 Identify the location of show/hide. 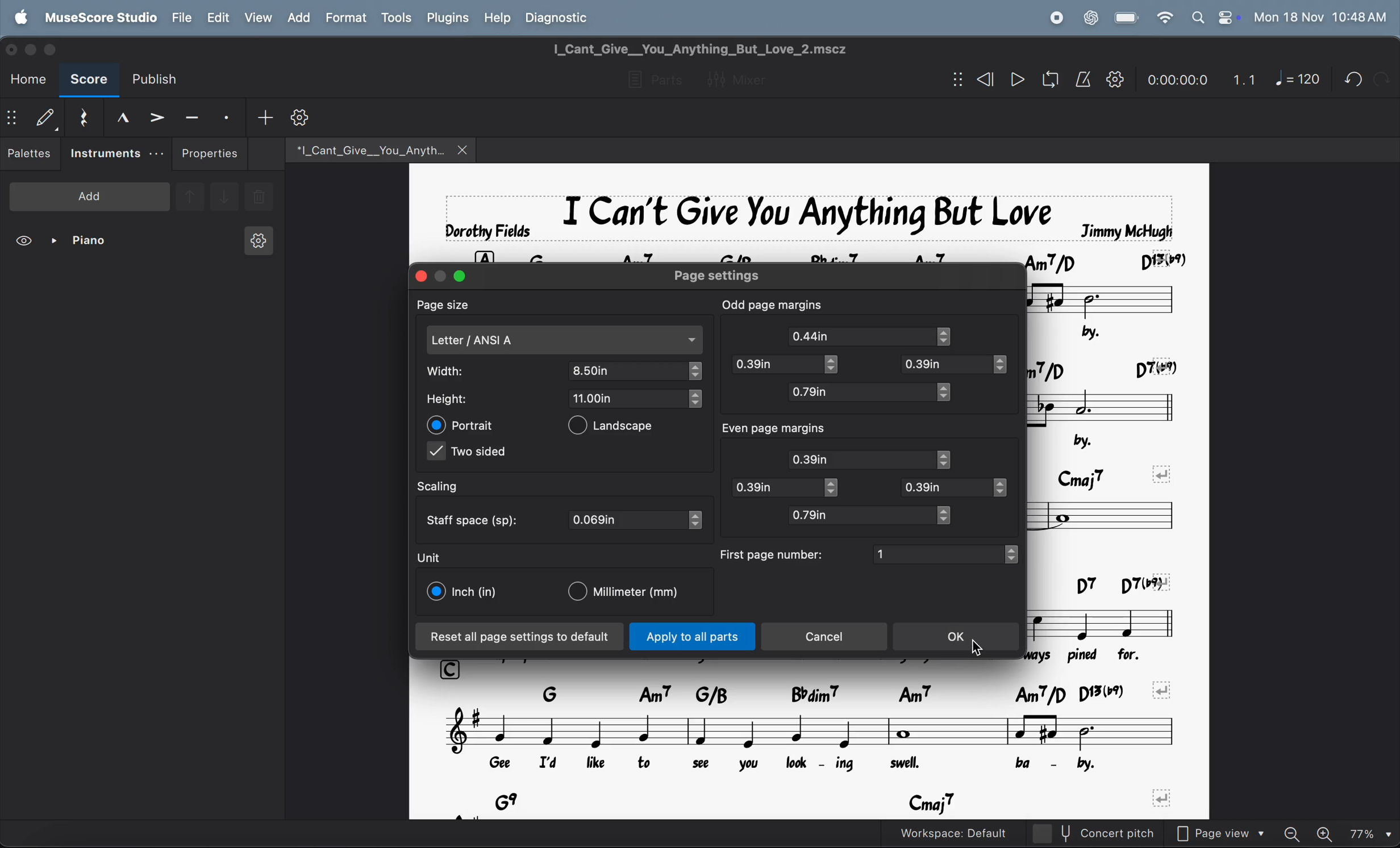
(12, 119).